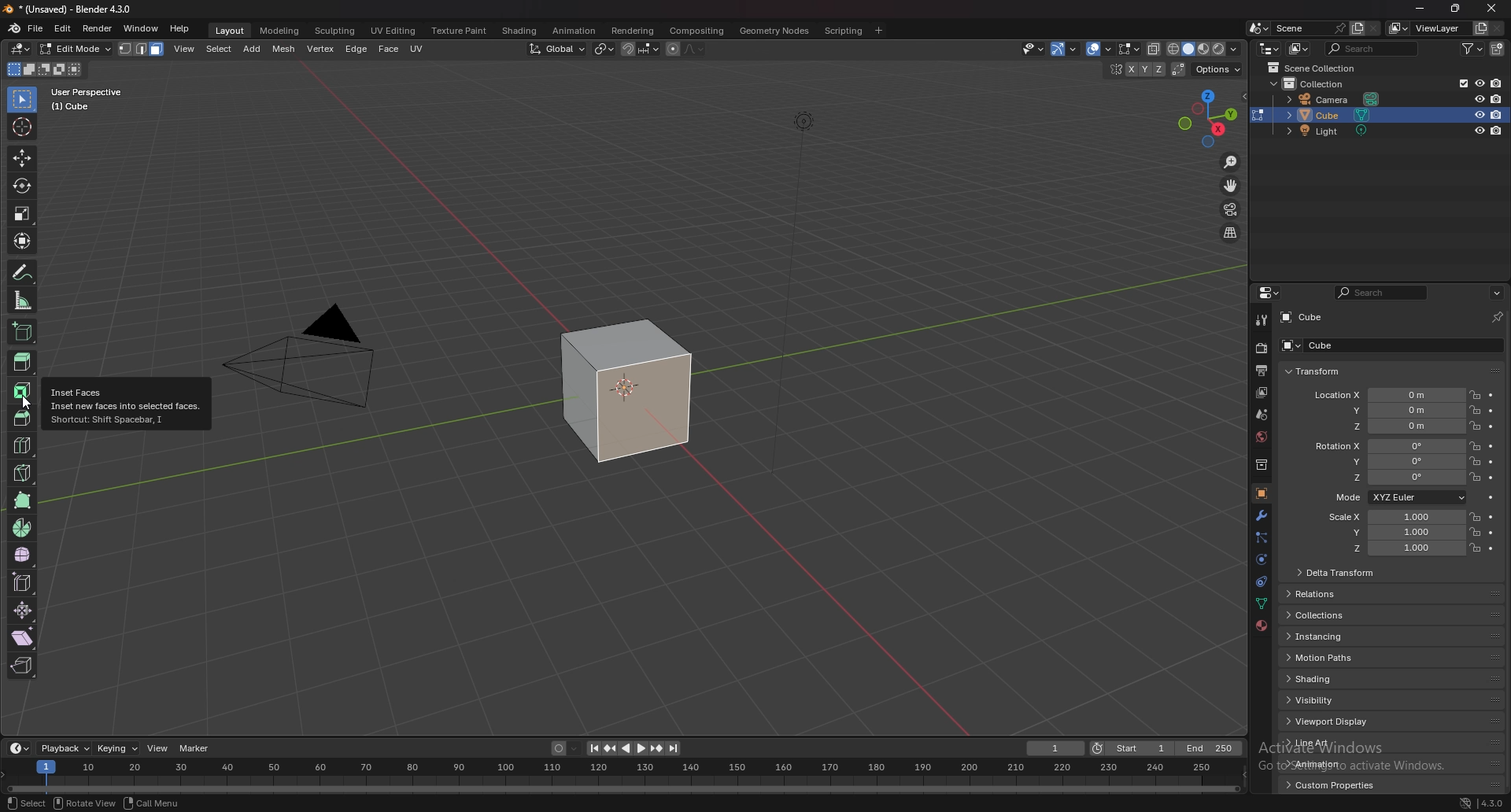 The height and width of the screenshot is (812, 1511). What do you see at coordinates (1261, 437) in the screenshot?
I see `world` at bounding box center [1261, 437].